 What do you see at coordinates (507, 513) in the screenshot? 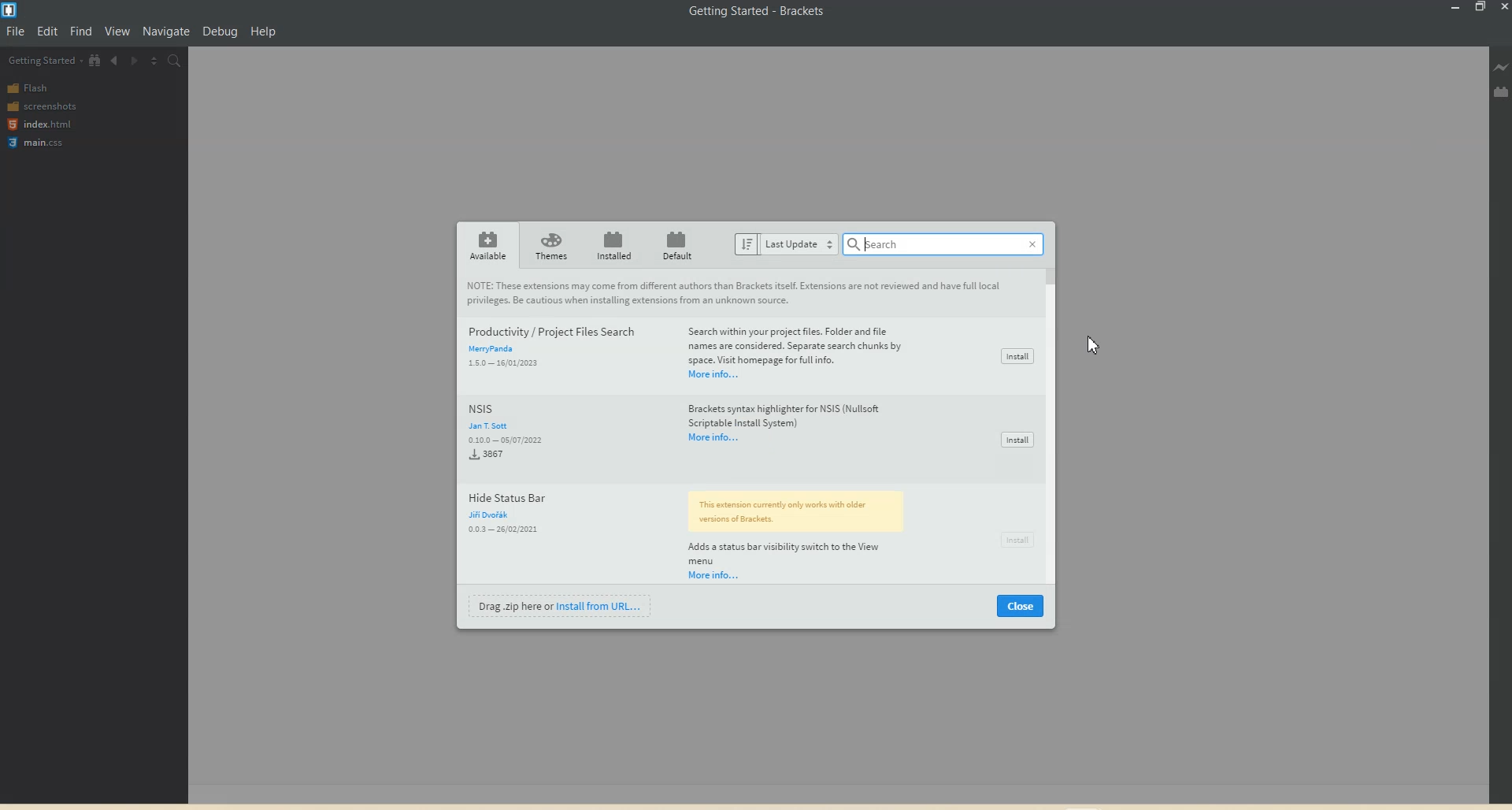
I see `Hide Status Bar Jin Dvorak0.03 26/02/2021` at bounding box center [507, 513].